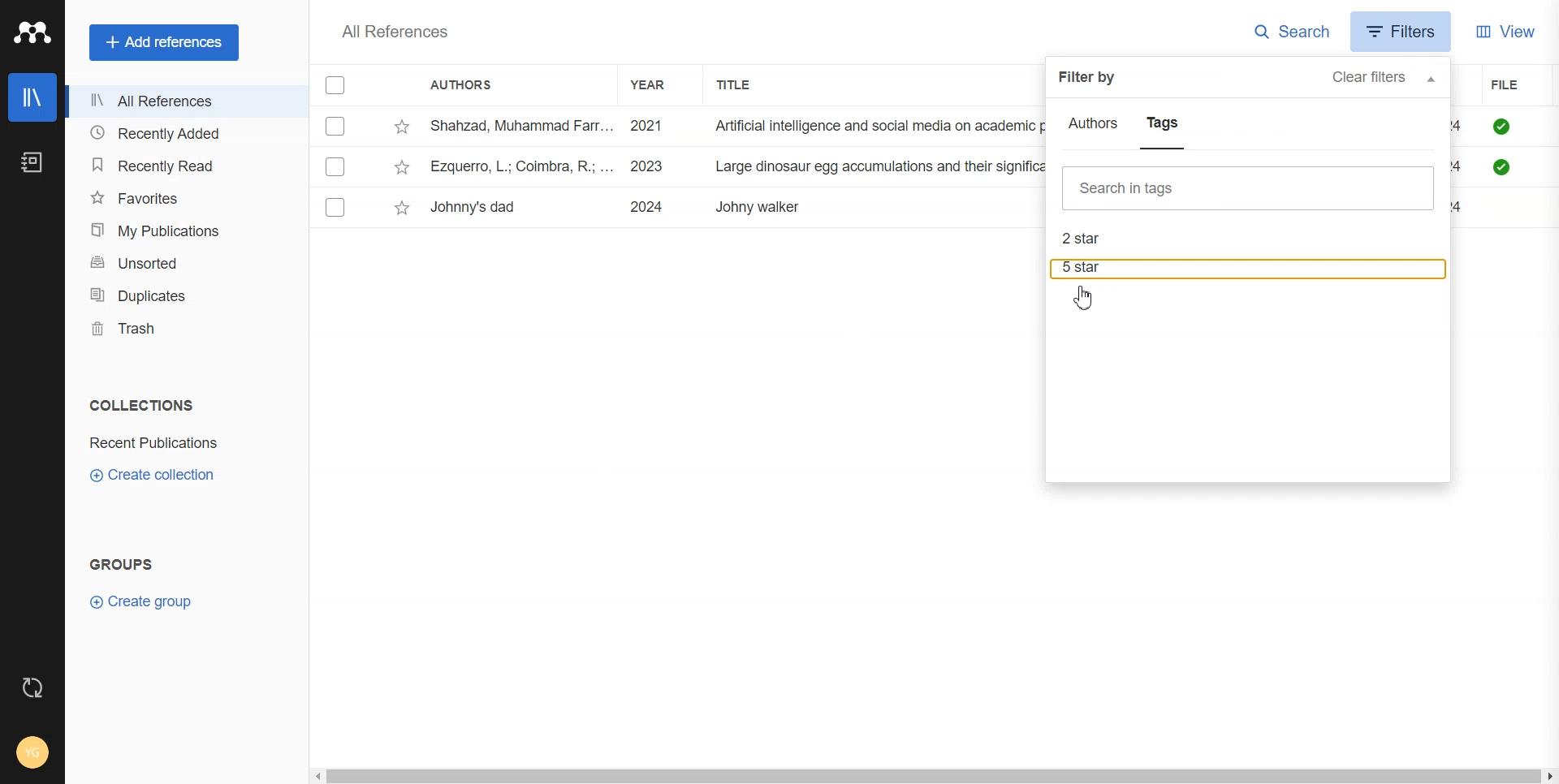 The height and width of the screenshot is (784, 1559). What do you see at coordinates (157, 443) in the screenshot?
I see `Folder` at bounding box center [157, 443].